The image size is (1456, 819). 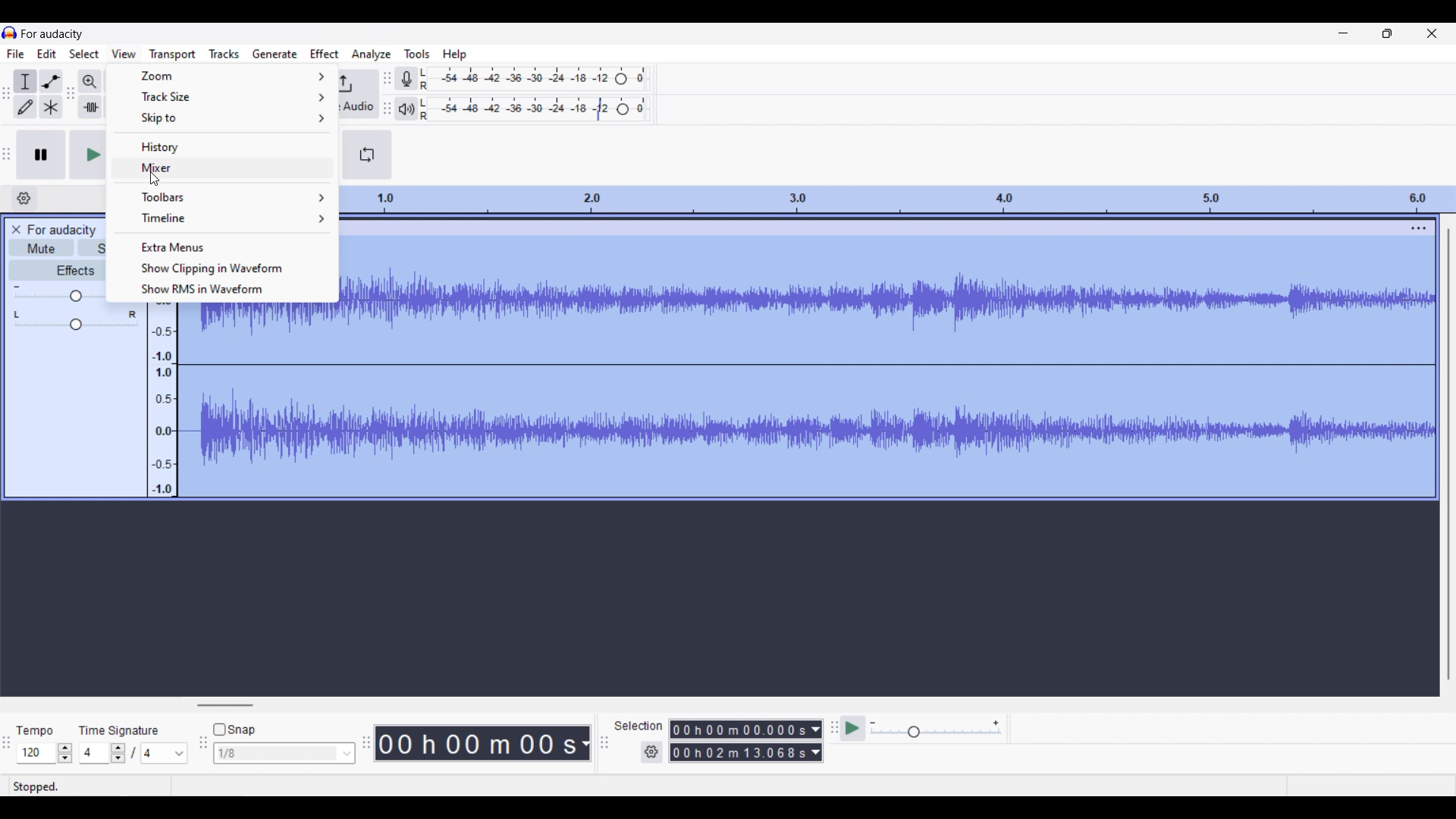 What do you see at coordinates (57, 293) in the screenshot?
I see `Volume slider` at bounding box center [57, 293].